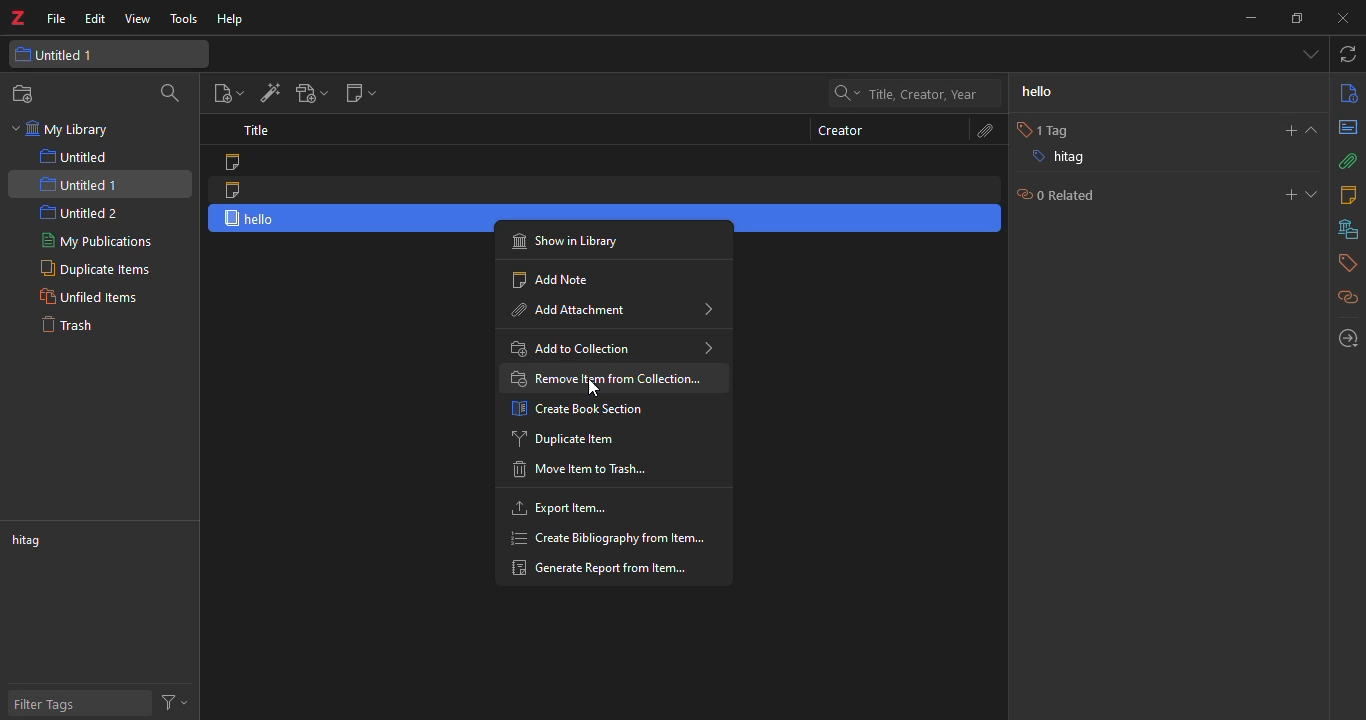 The width and height of the screenshot is (1366, 720). Describe the element at coordinates (1346, 161) in the screenshot. I see `attach` at that location.